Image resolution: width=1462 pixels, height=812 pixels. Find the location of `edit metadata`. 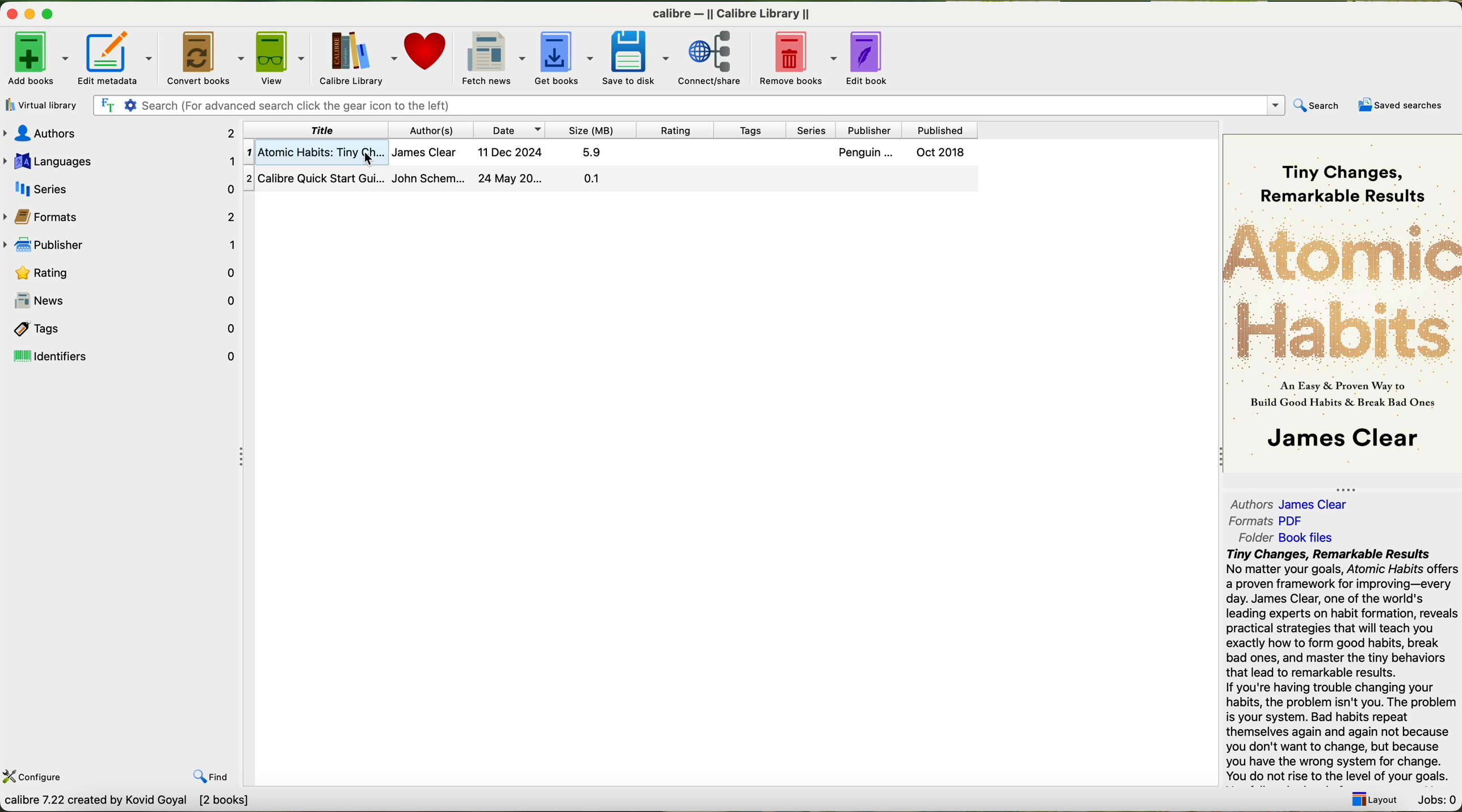

edit metadata is located at coordinates (114, 58).